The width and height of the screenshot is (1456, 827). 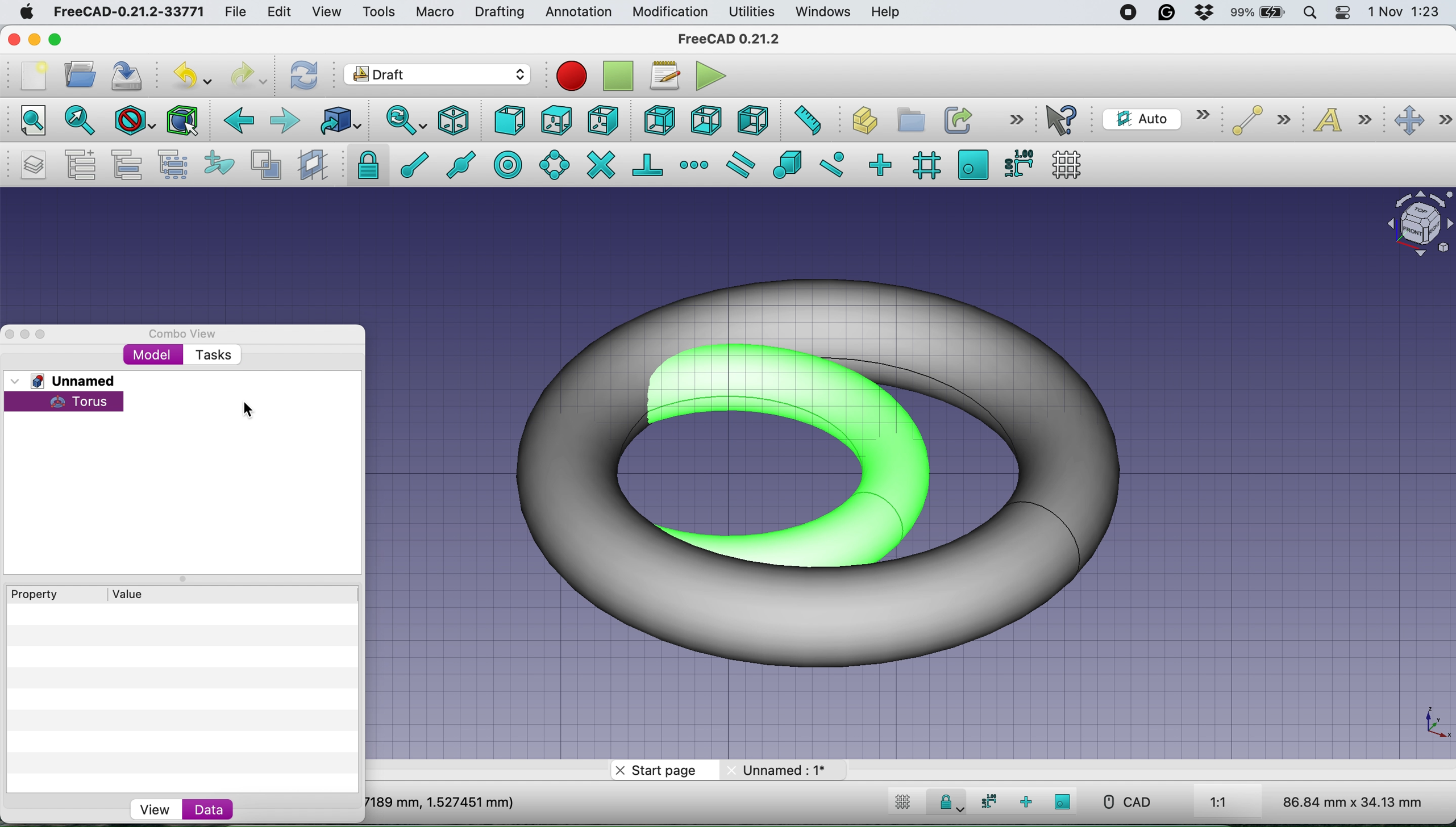 What do you see at coordinates (1129, 15) in the screenshot?
I see `screen recorder` at bounding box center [1129, 15].